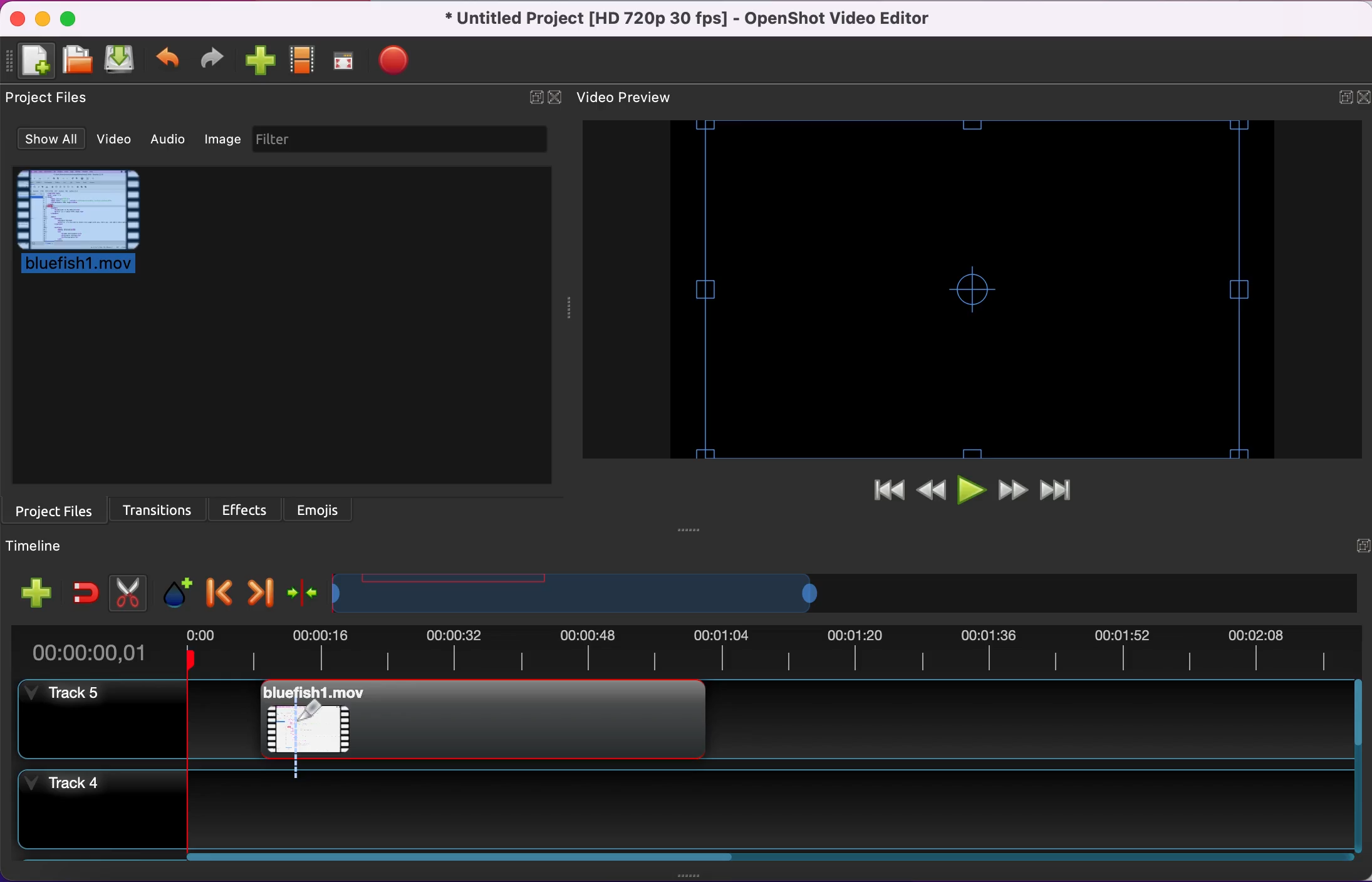 Image resolution: width=1372 pixels, height=882 pixels. I want to click on import files, so click(261, 61).